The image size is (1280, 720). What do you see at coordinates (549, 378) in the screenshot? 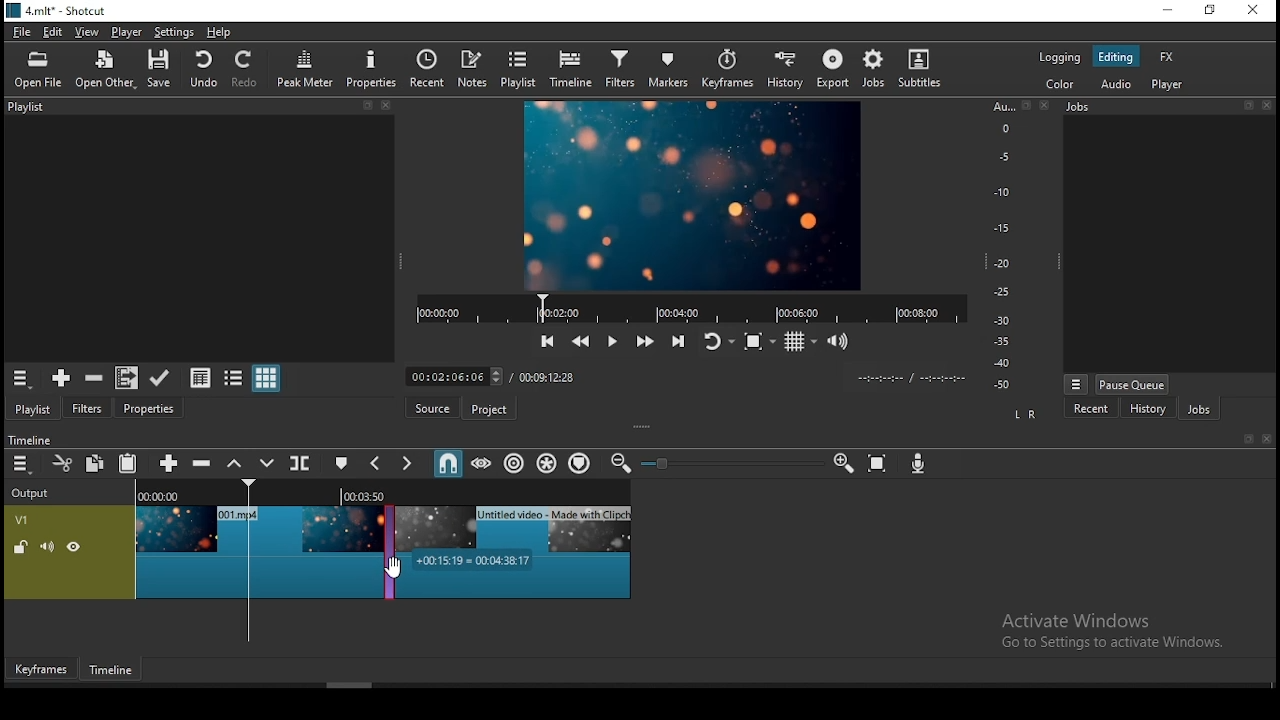
I see `total time` at bounding box center [549, 378].